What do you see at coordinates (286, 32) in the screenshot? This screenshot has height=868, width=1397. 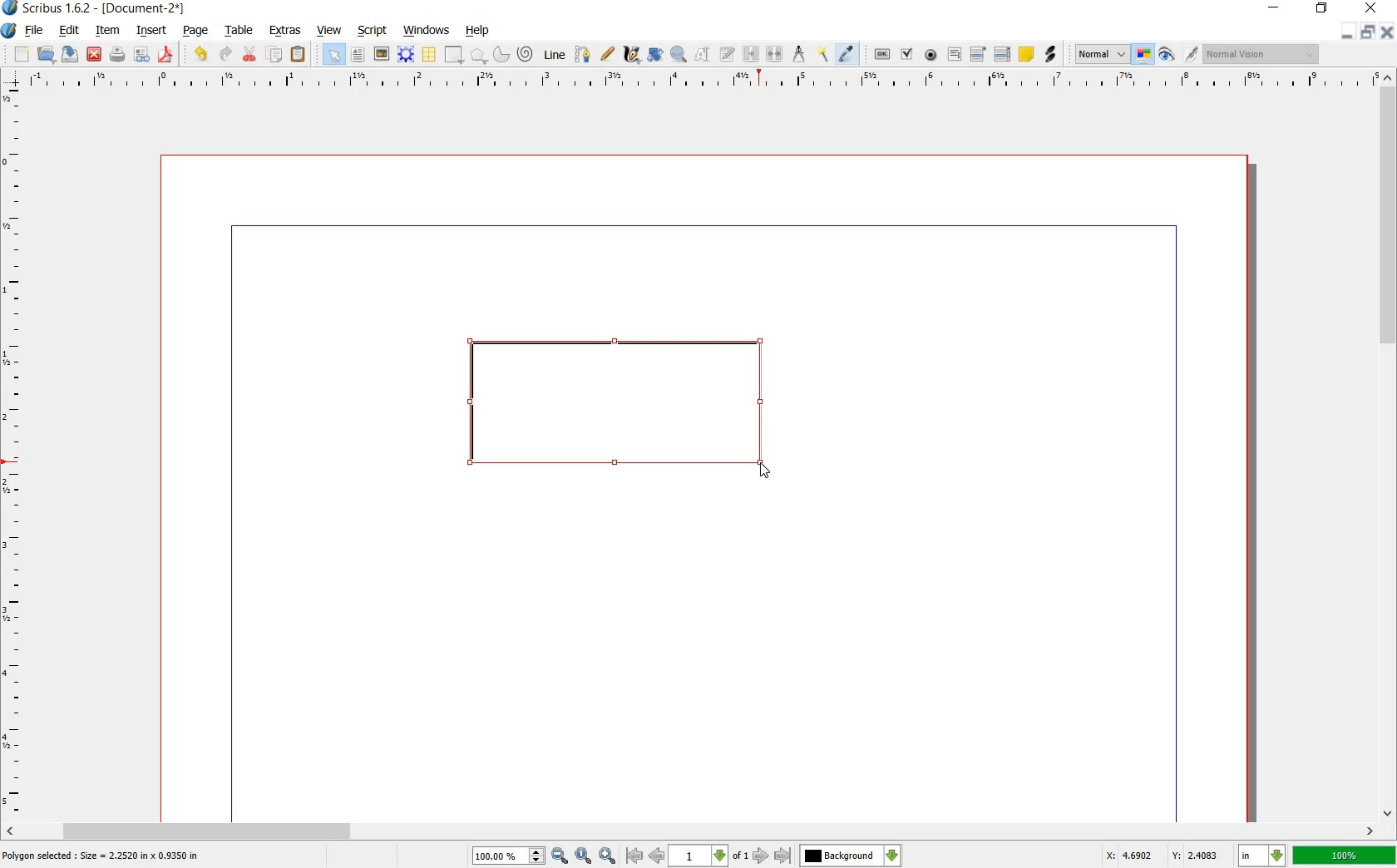 I see `EXTRAS` at bounding box center [286, 32].